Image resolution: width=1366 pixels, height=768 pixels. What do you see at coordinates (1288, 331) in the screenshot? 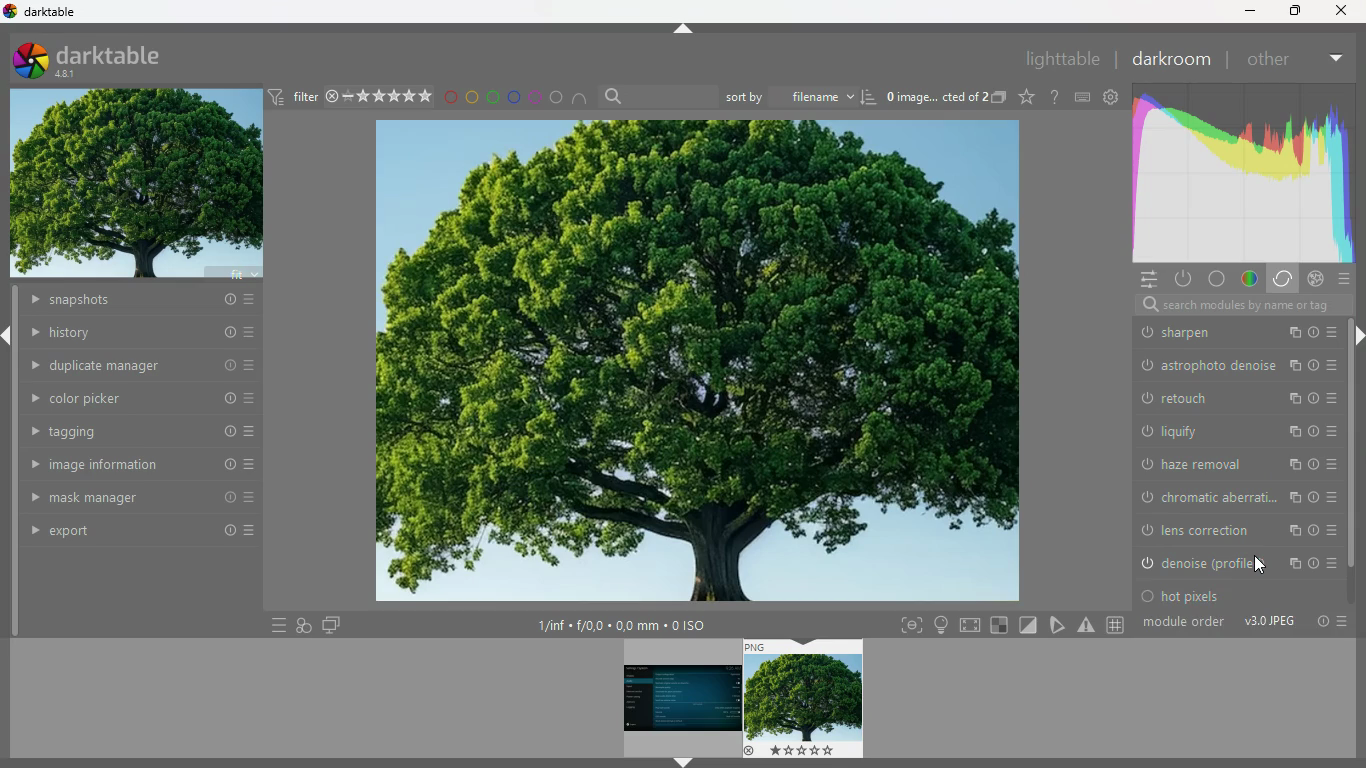
I see `info` at bounding box center [1288, 331].